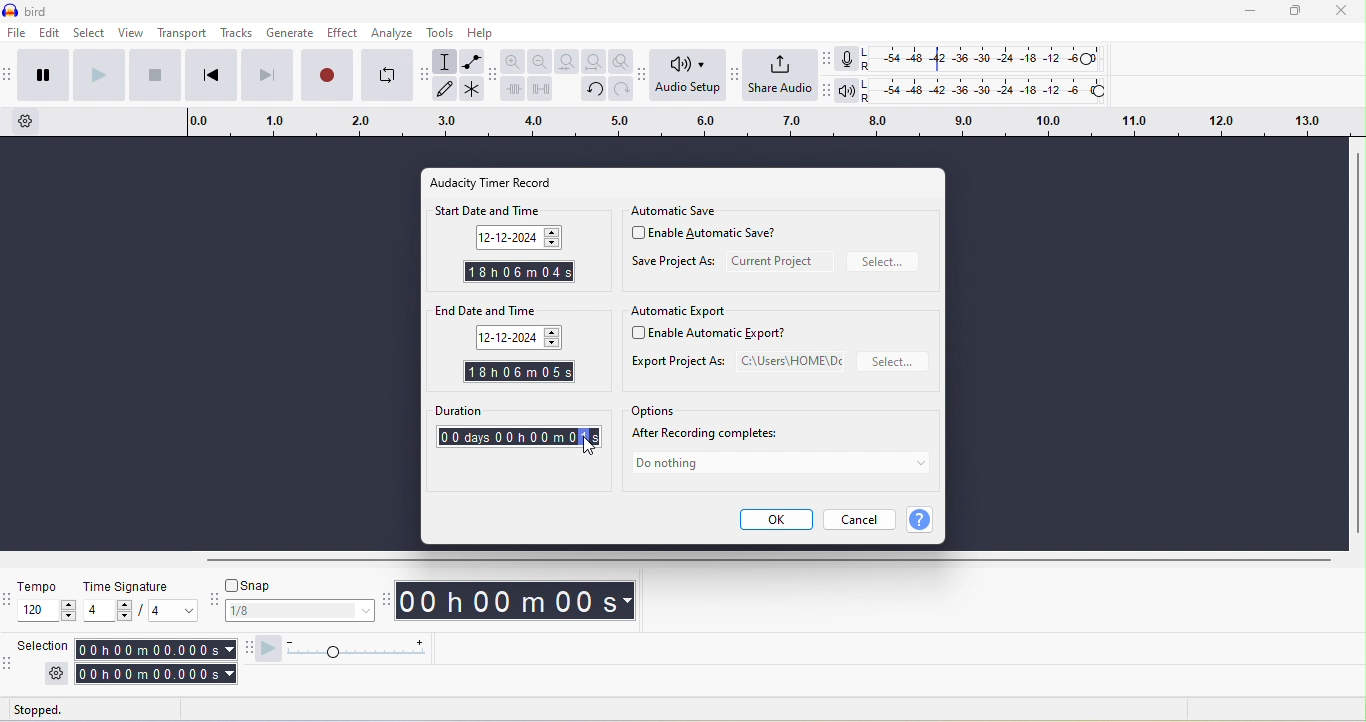 Image resolution: width=1366 pixels, height=722 pixels. I want to click on undo, so click(596, 92).